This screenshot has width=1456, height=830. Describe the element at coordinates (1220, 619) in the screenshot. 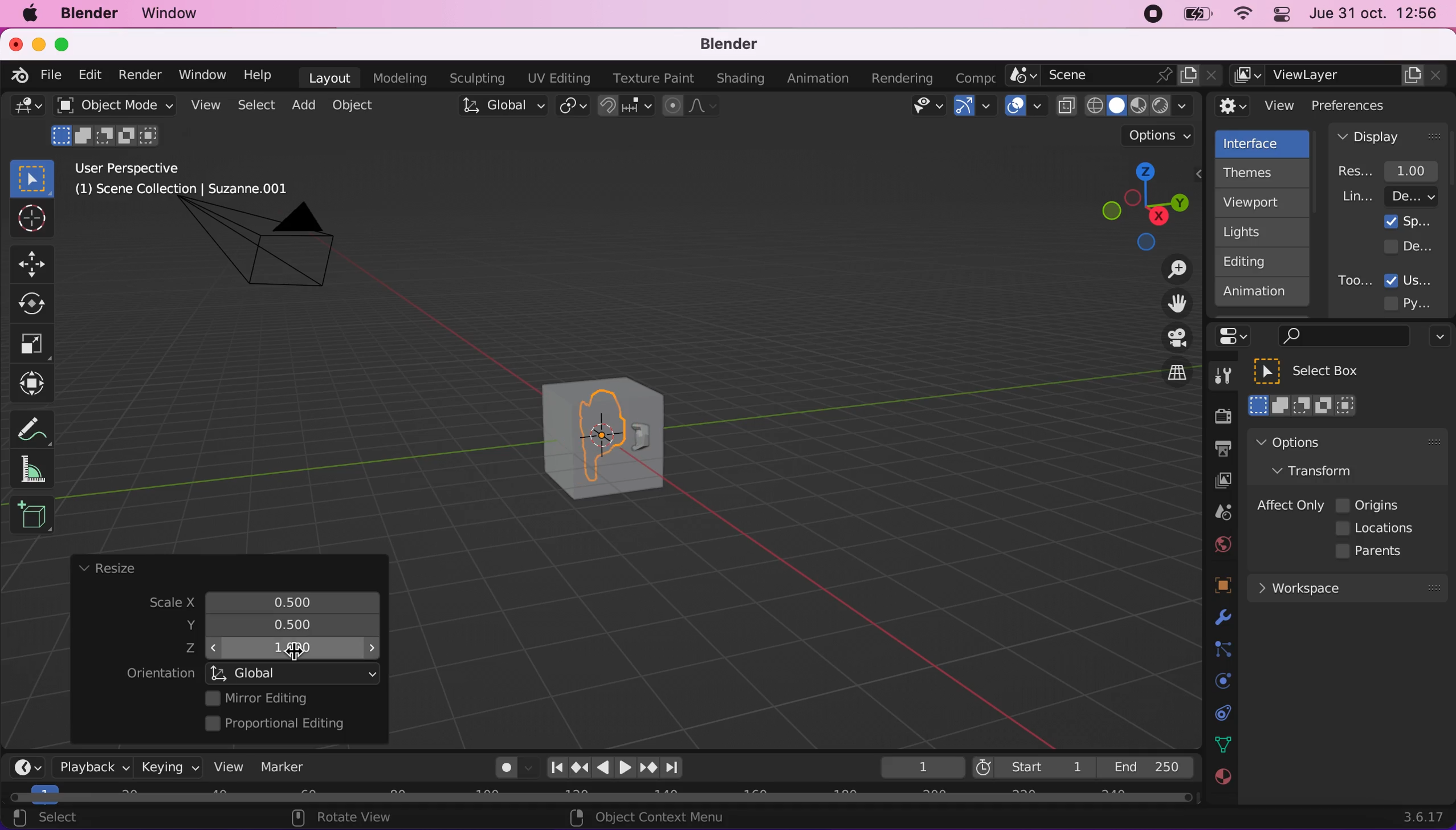

I see `physics` at that location.